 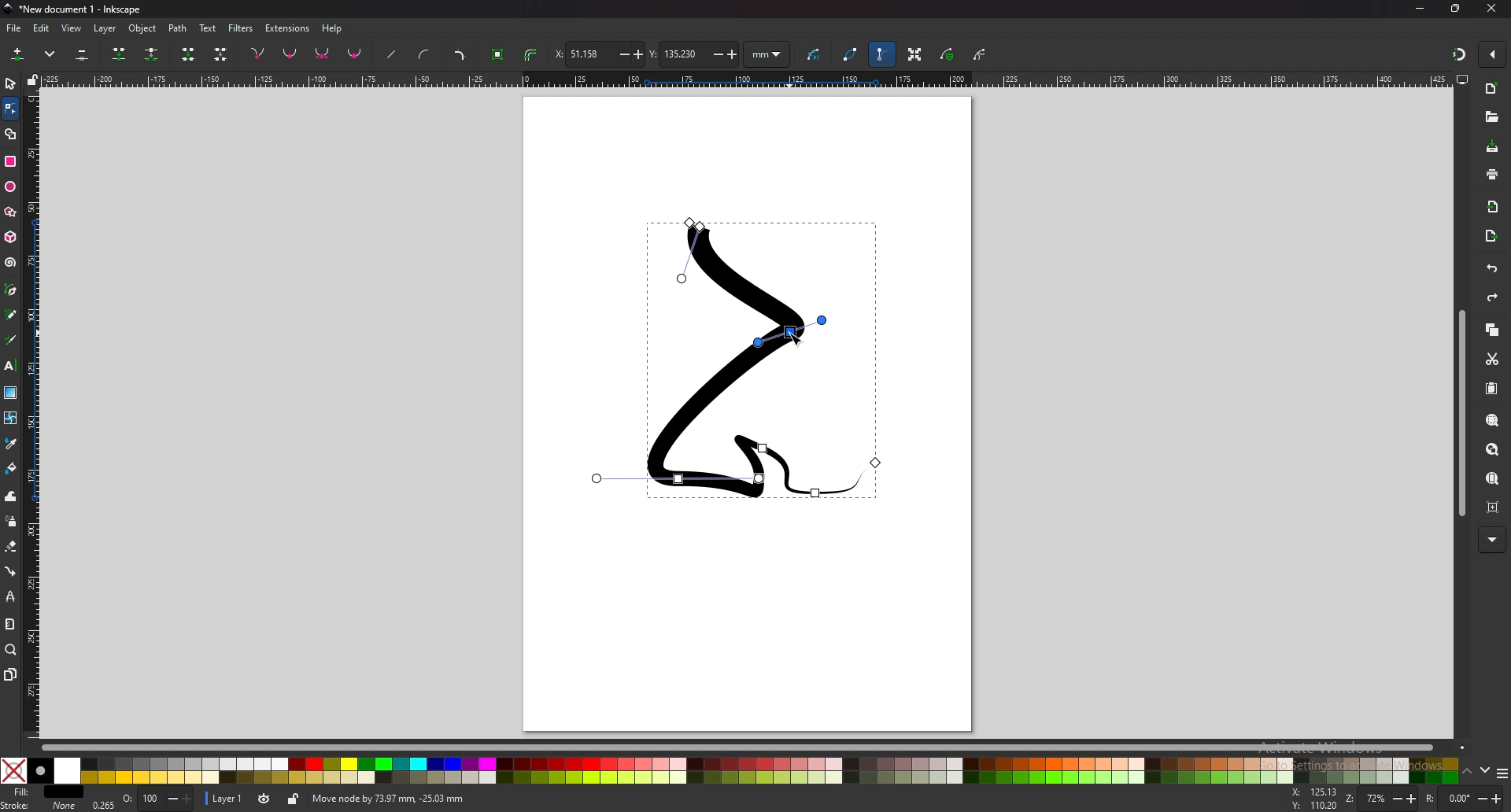 I want to click on straighten lines, so click(x=393, y=56).